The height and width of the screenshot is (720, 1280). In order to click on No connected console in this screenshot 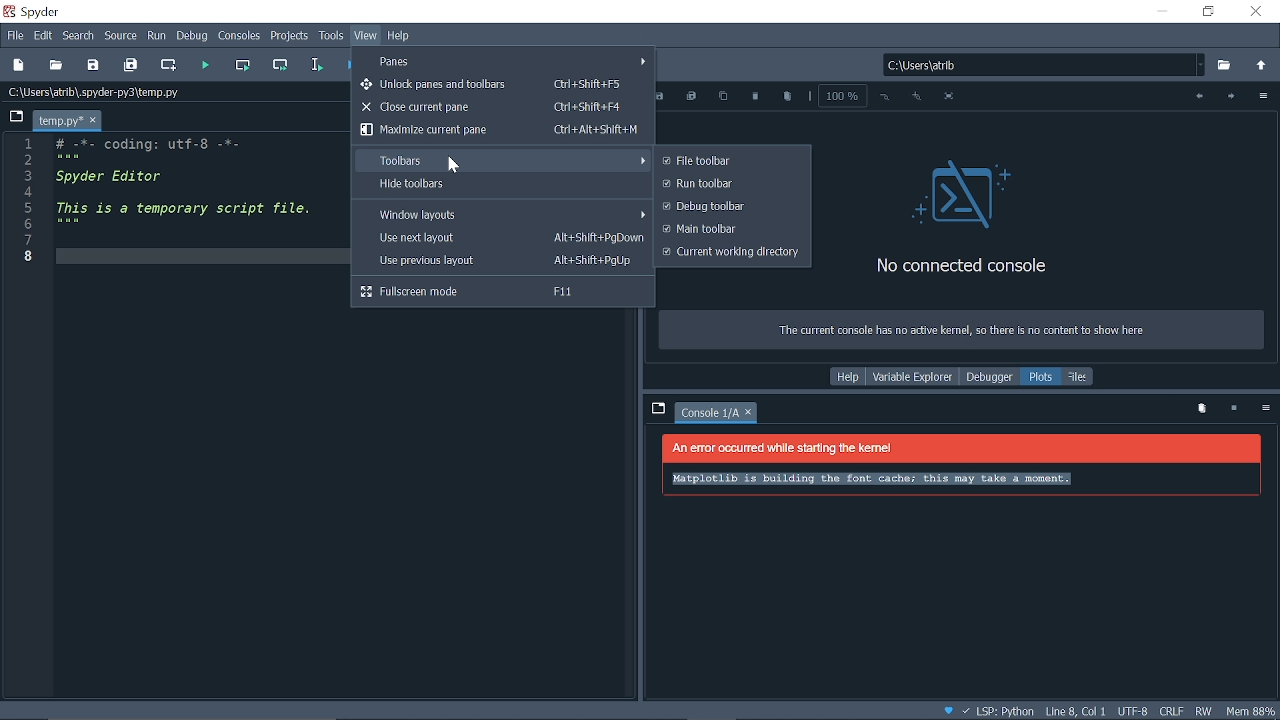, I will do `click(968, 216)`.